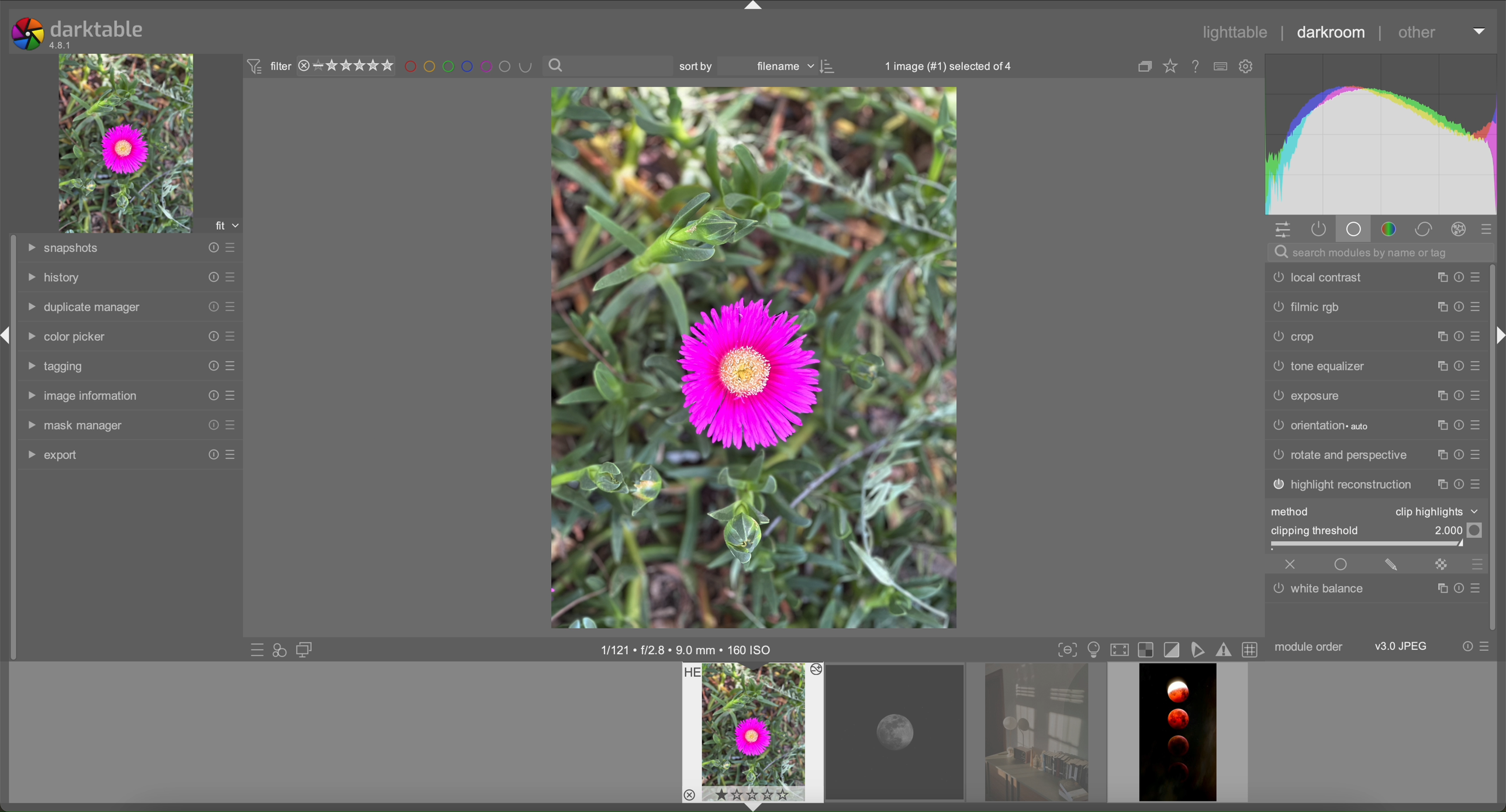 This screenshot has height=812, width=1506. I want to click on reset presets, so click(210, 334).